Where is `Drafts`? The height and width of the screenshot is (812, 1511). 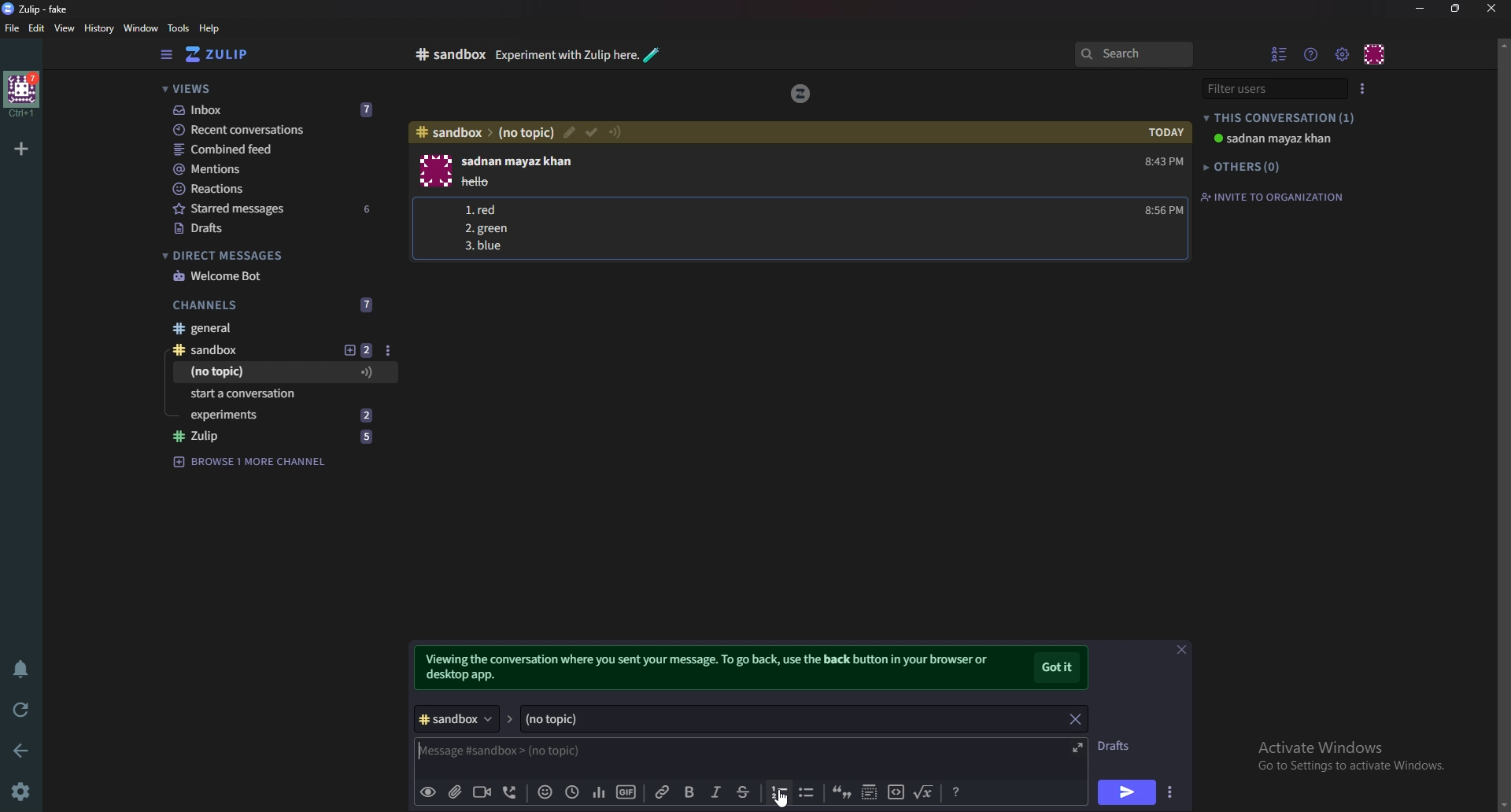 Drafts is located at coordinates (1122, 745).